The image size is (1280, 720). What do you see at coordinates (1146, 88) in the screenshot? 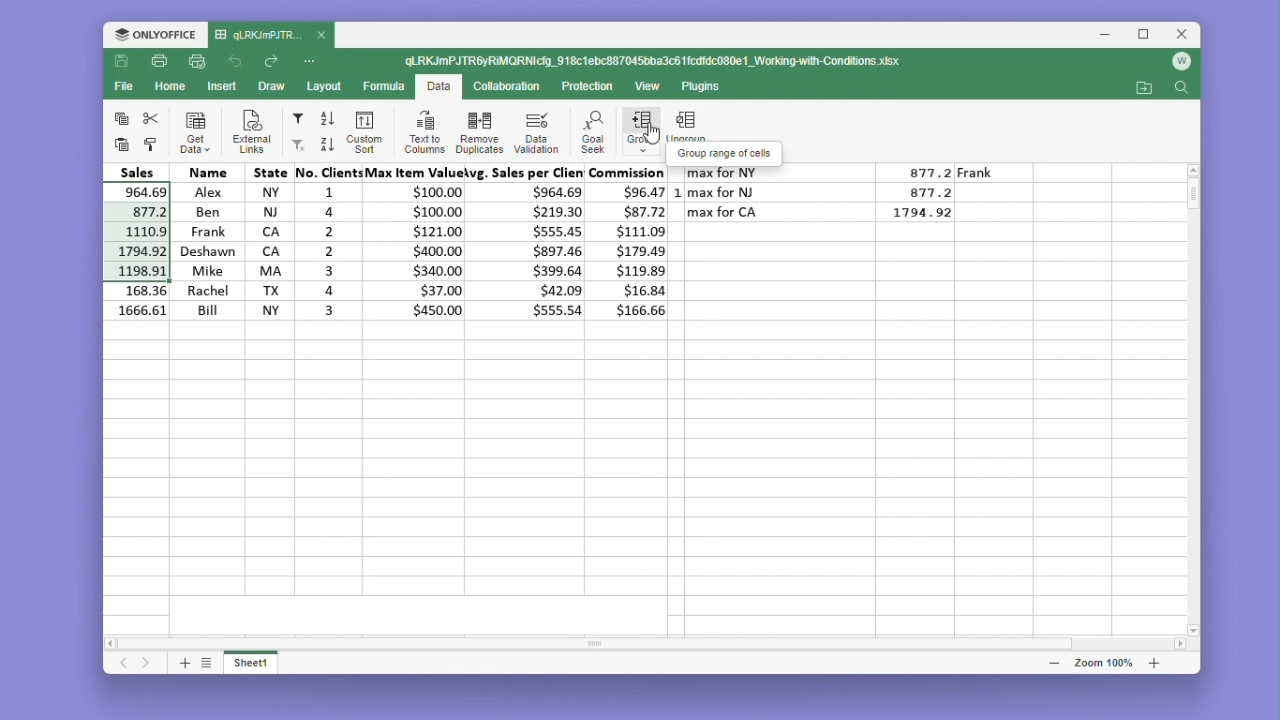
I see `Go to file location` at bounding box center [1146, 88].